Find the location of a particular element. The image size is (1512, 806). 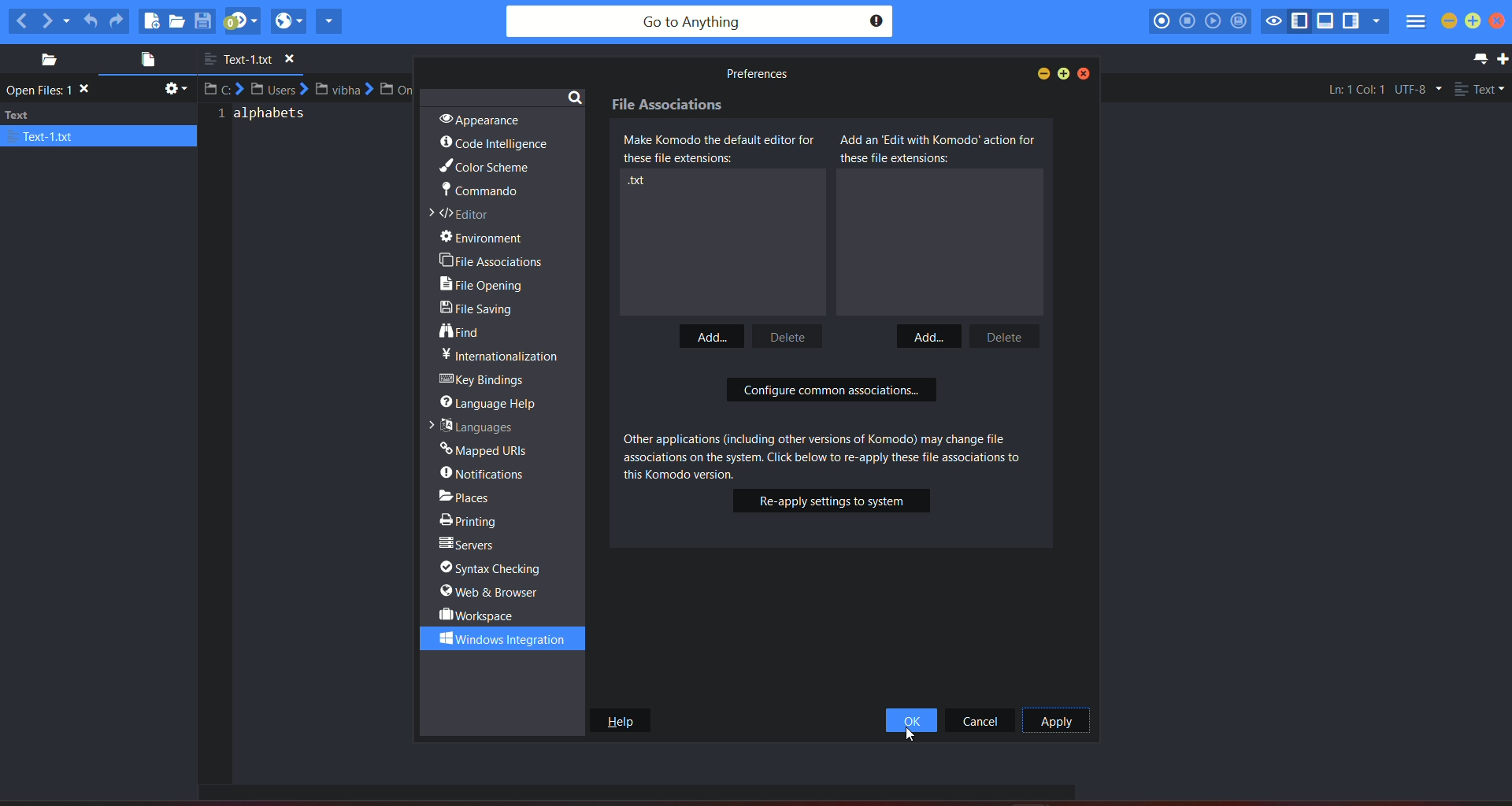

maximize is located at coordinates (1065, 73).